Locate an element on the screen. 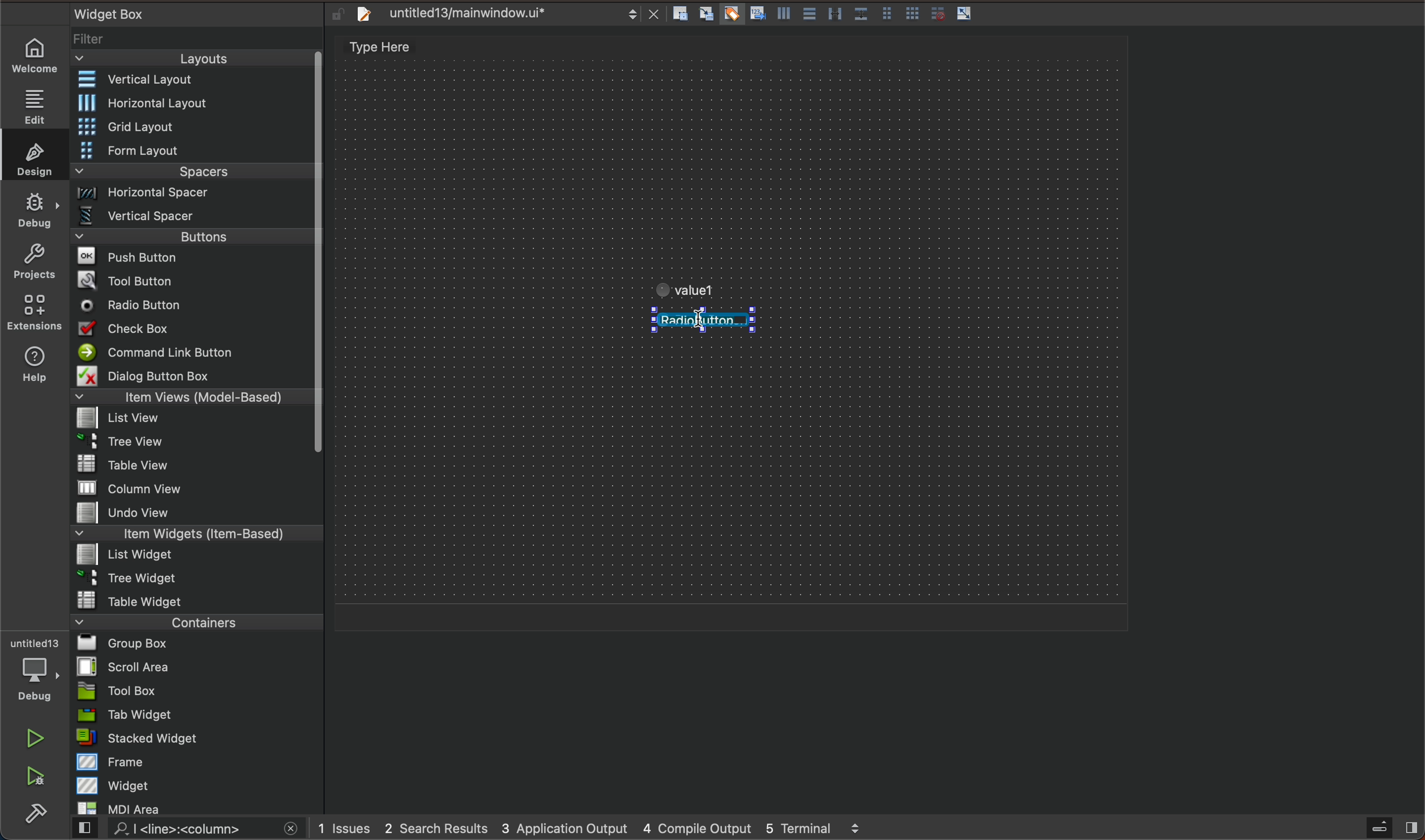  command line is located at coordinates (192, 353).